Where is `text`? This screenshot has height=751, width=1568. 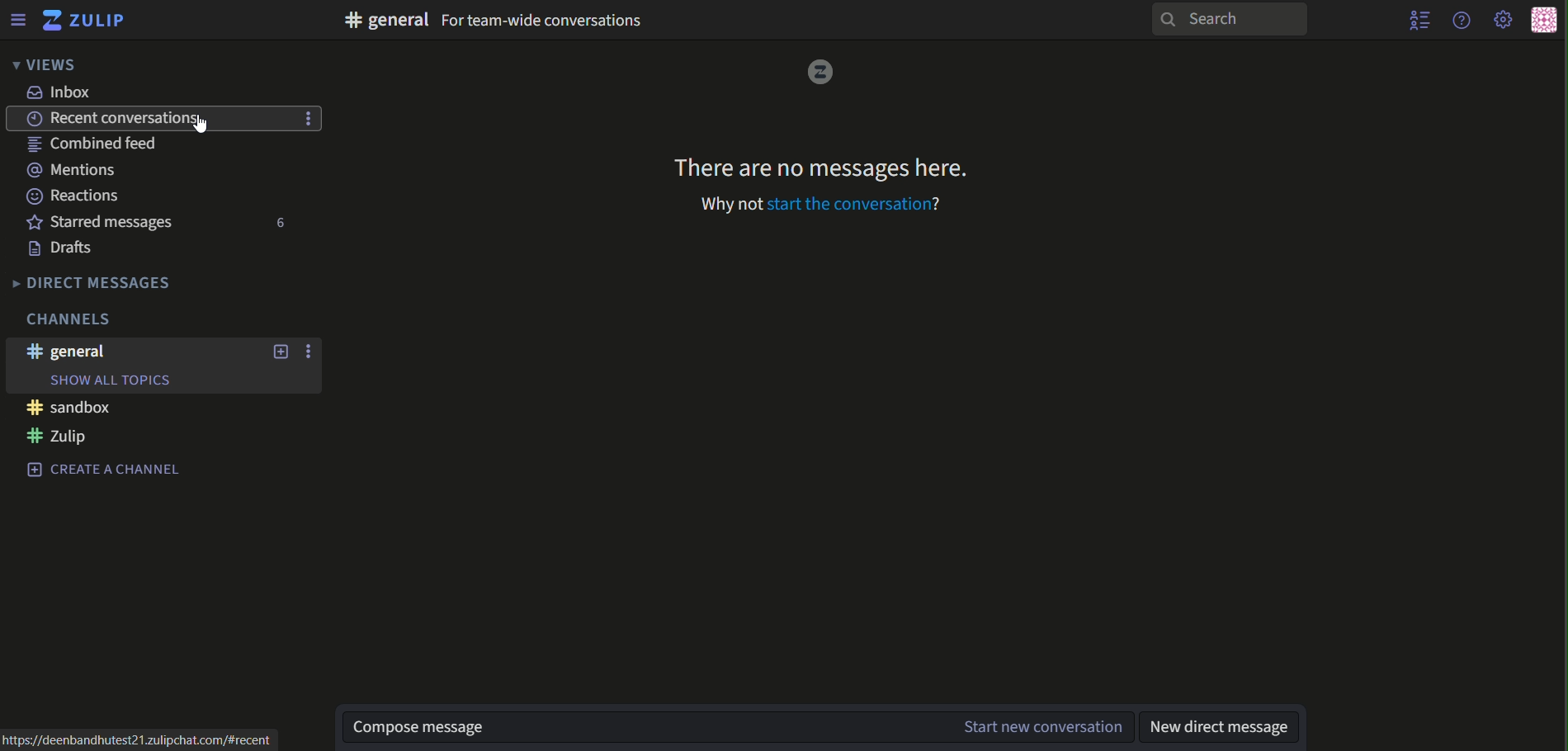
text is located at coordinates (1222, 725).